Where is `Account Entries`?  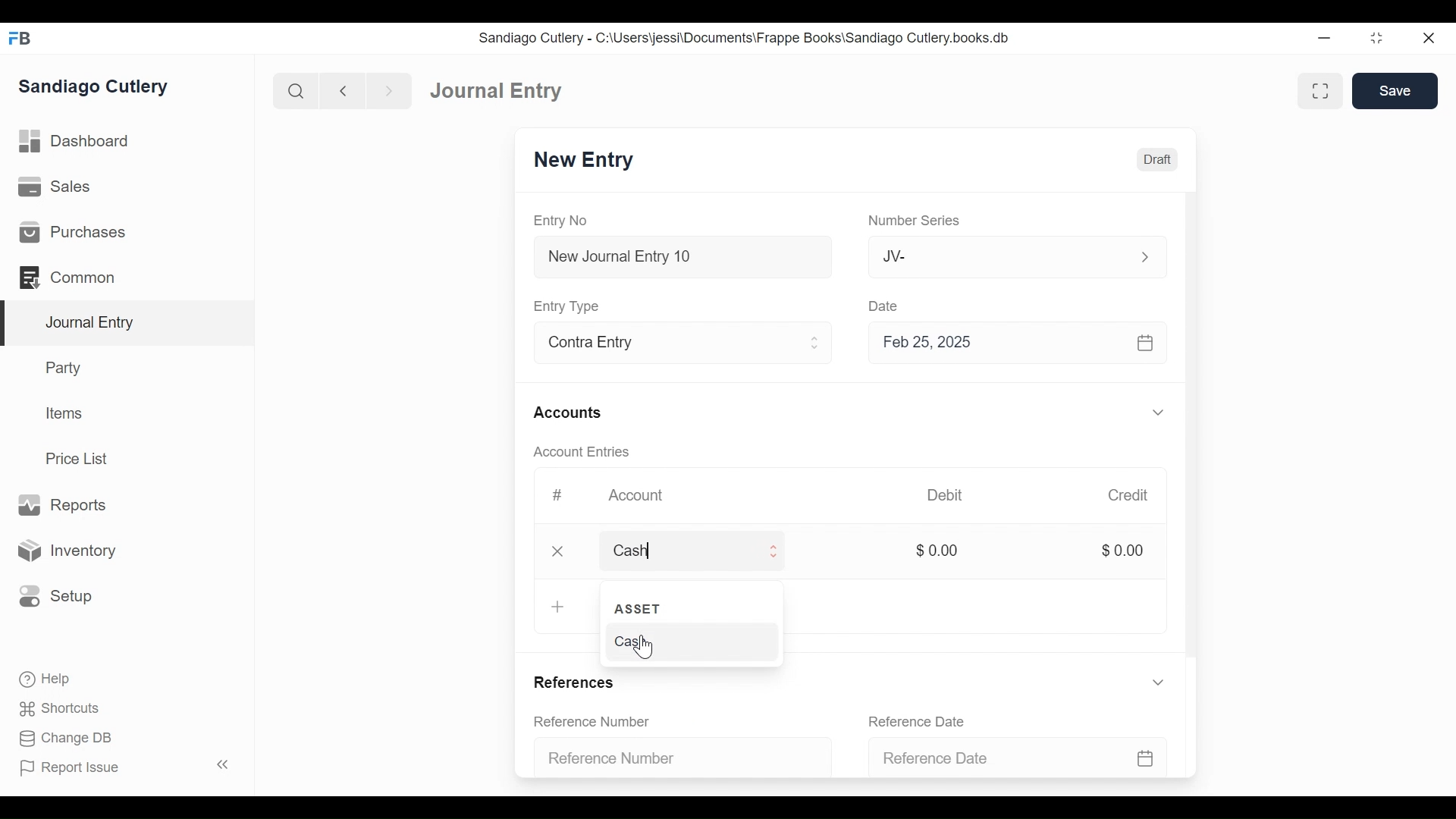
Account Entries is located at coordinates (588, 452).